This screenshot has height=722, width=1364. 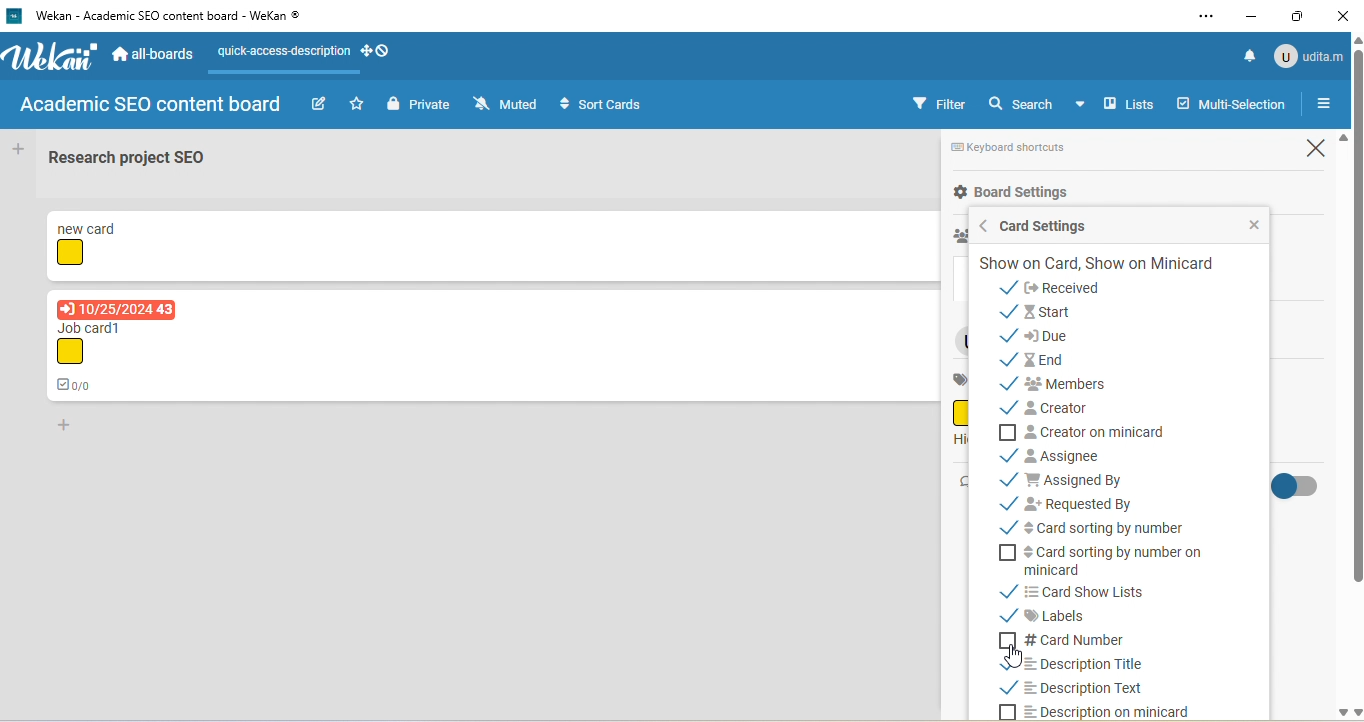 I want to click on end, so click(x=1037, y=361).